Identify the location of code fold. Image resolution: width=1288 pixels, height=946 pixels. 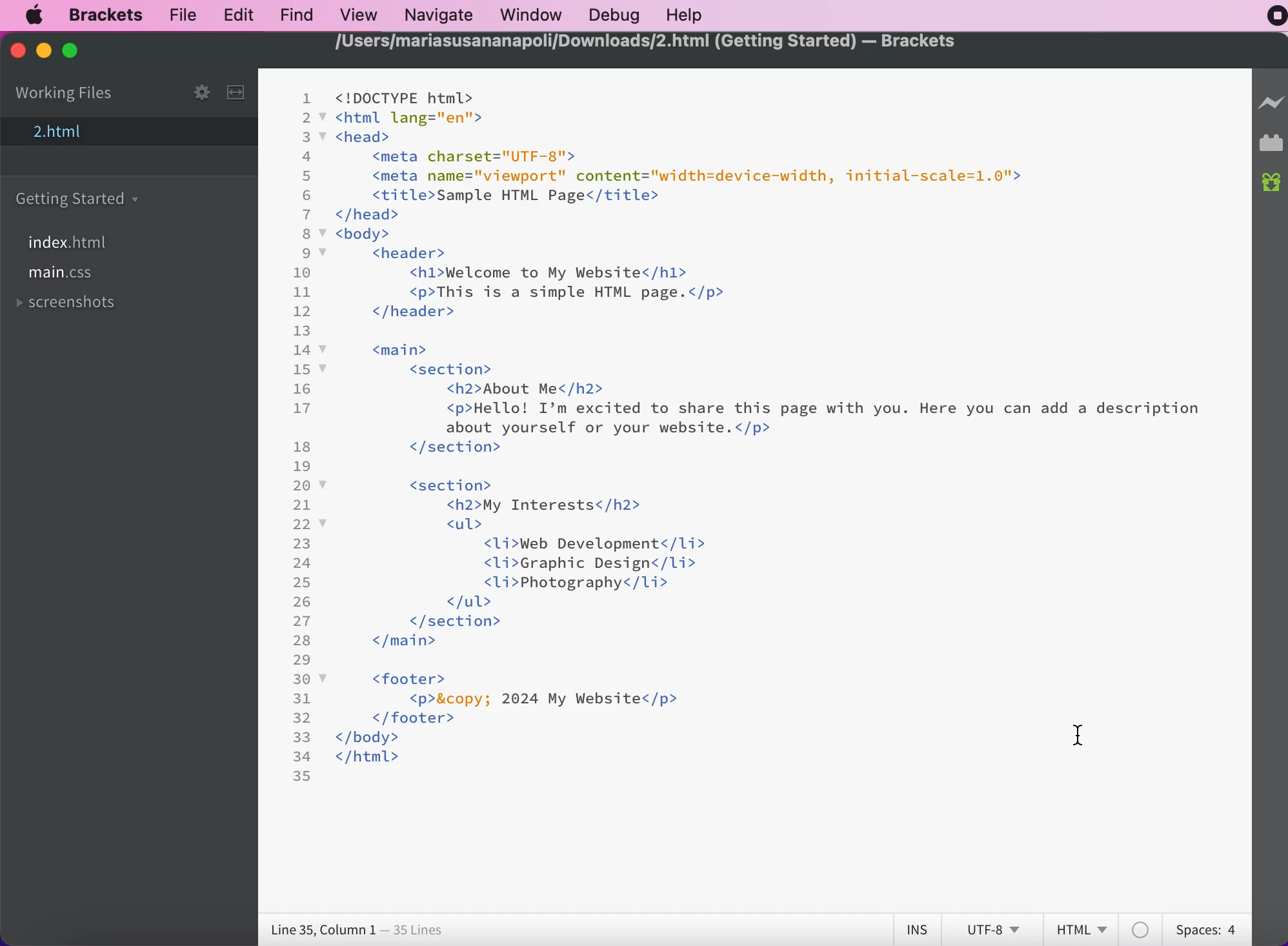
(323, 677).